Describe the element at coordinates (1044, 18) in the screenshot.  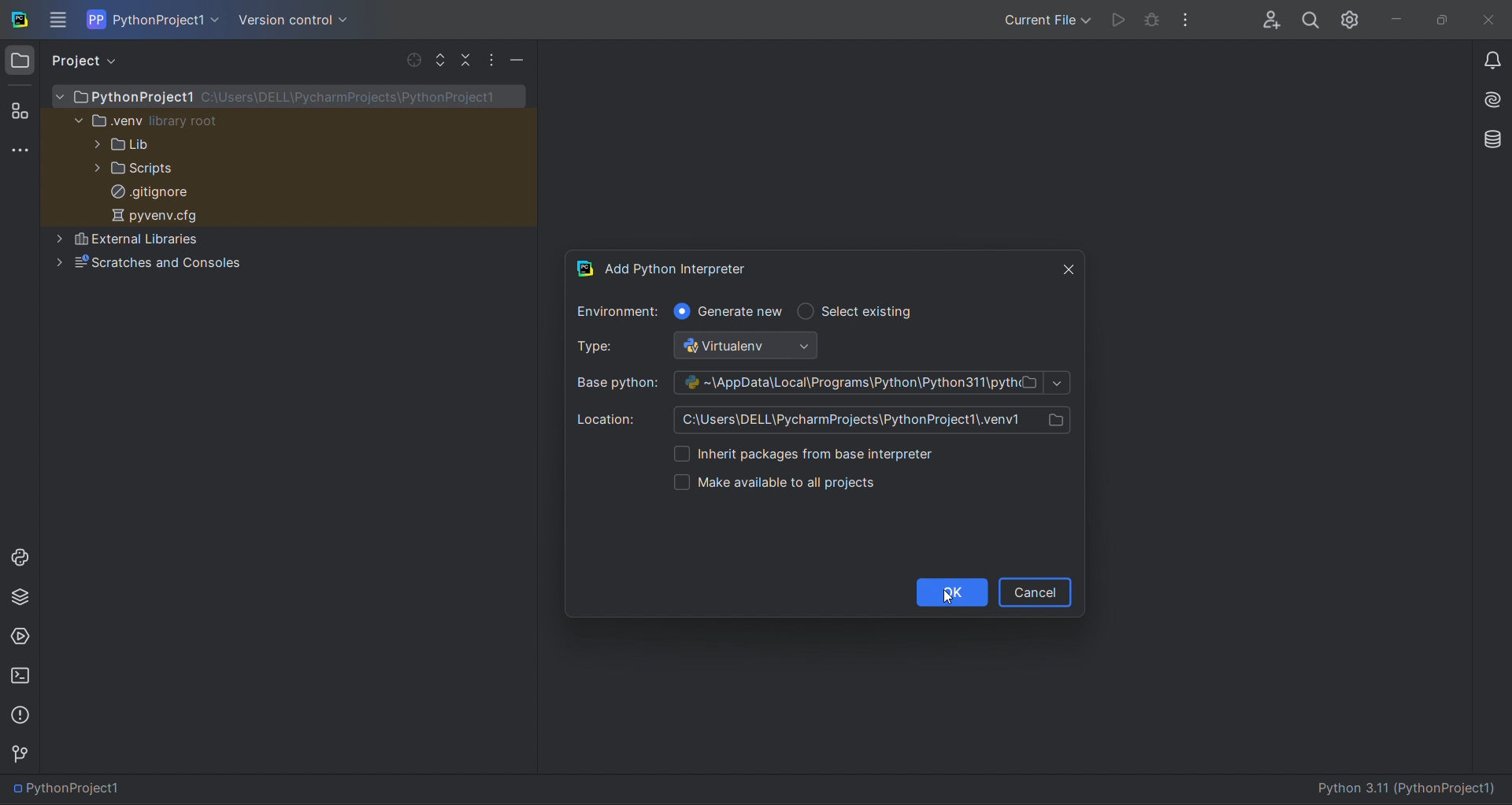
I see `run/debug options` at that location.